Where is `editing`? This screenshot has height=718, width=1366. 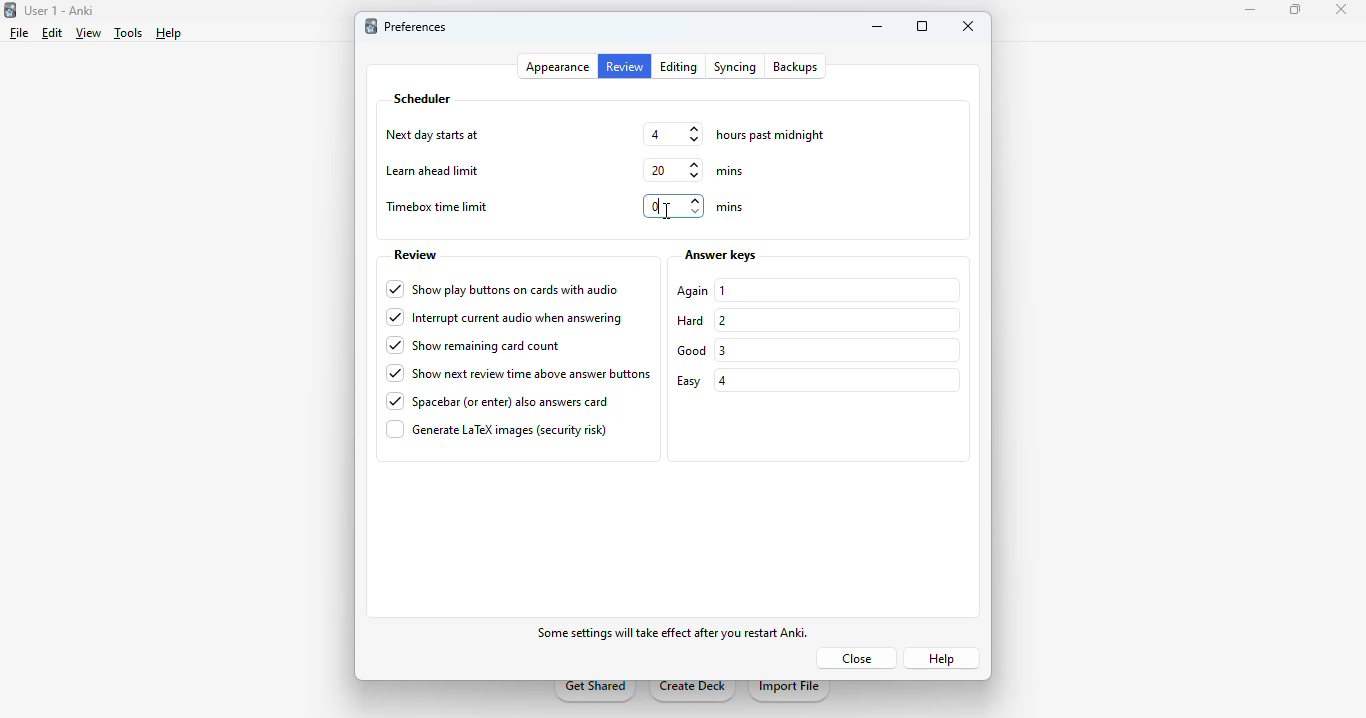
editing is located at coordinates (679, 67).